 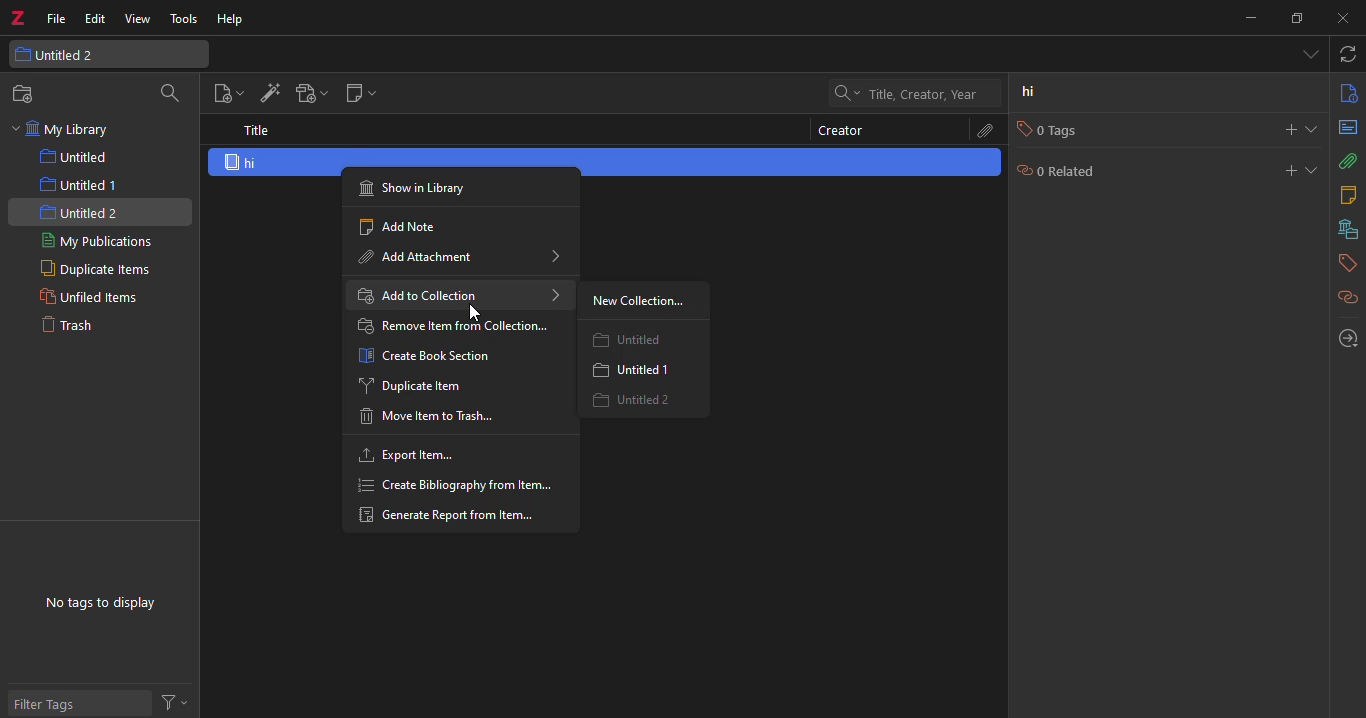 I want to click on no tags to display, so click(x=100, y=604).